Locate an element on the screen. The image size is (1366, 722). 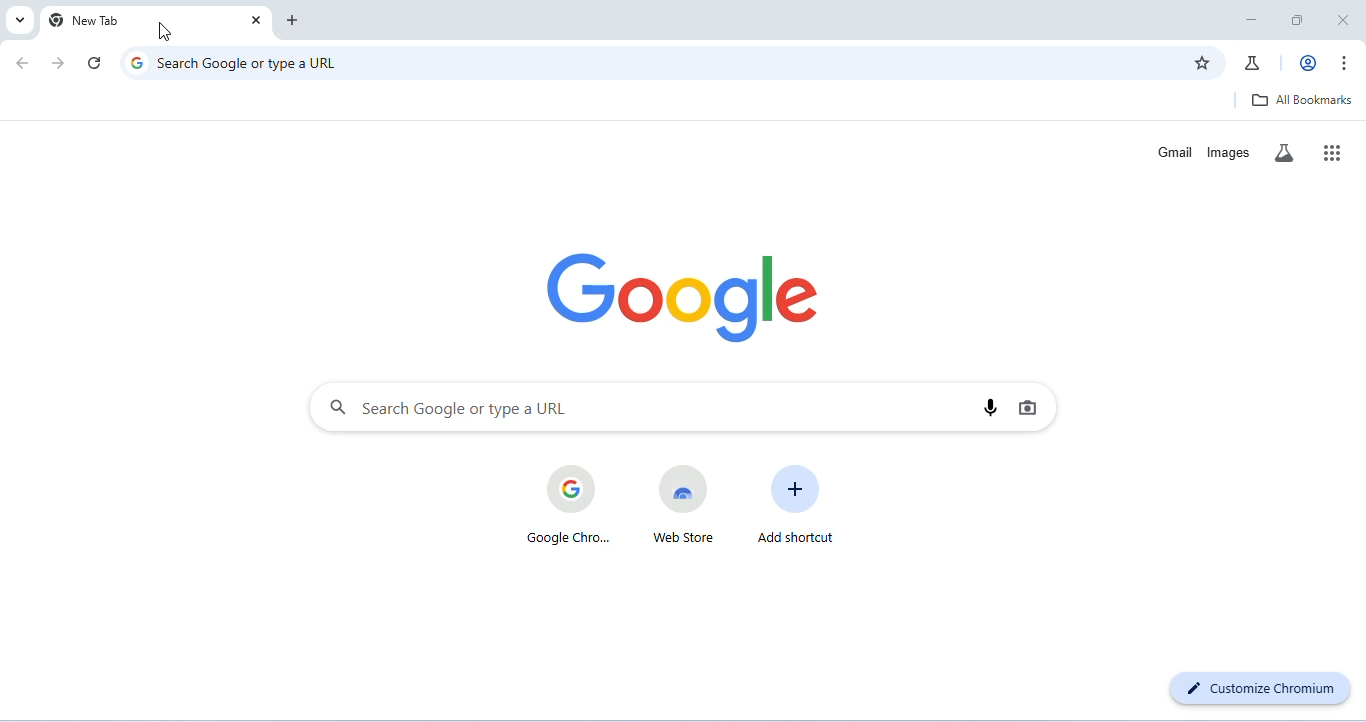
new tab is located at coordinates (88, 21).